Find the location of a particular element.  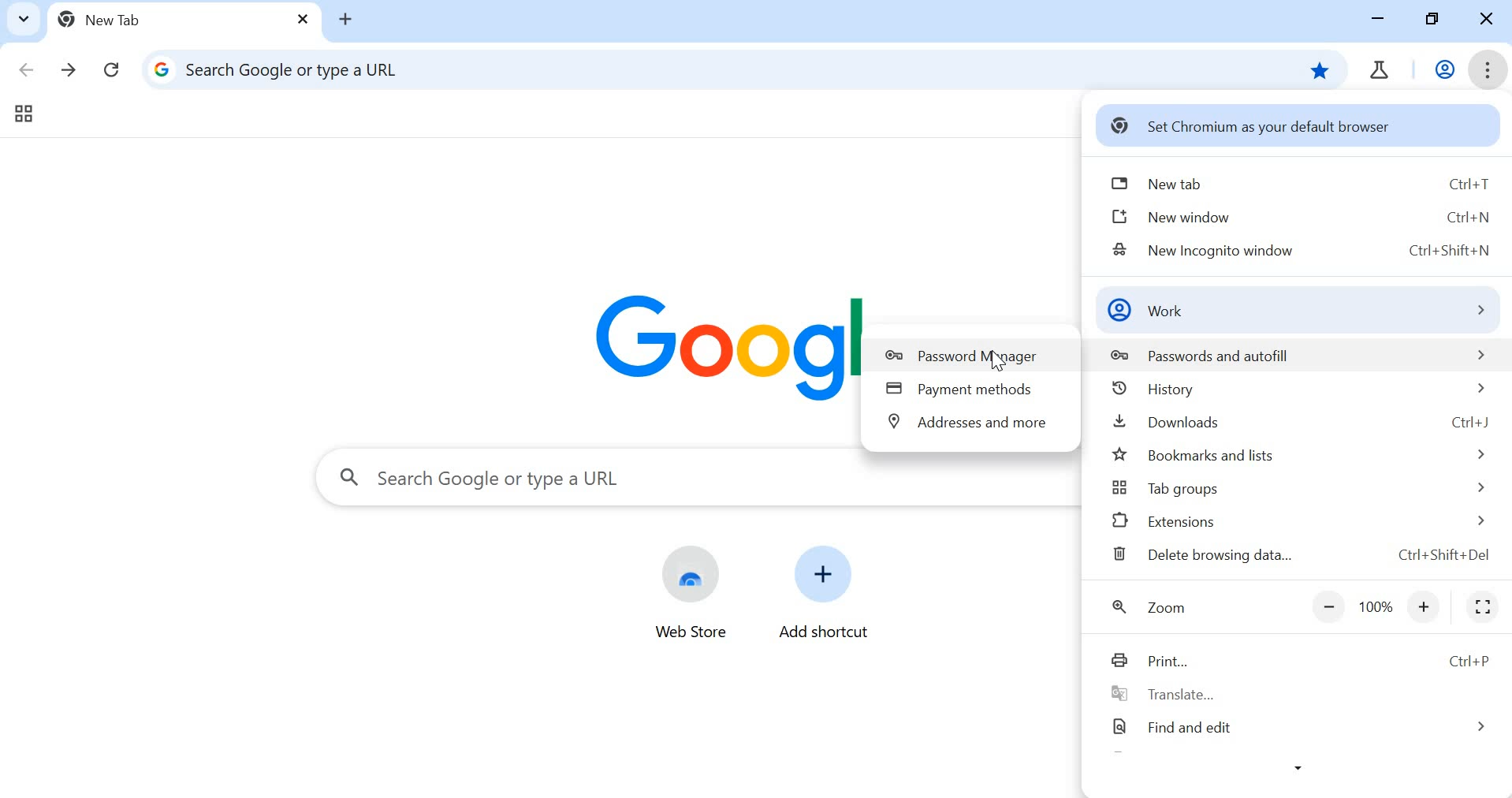

zoom out or zoom in is located at coordinates (1377, 606).